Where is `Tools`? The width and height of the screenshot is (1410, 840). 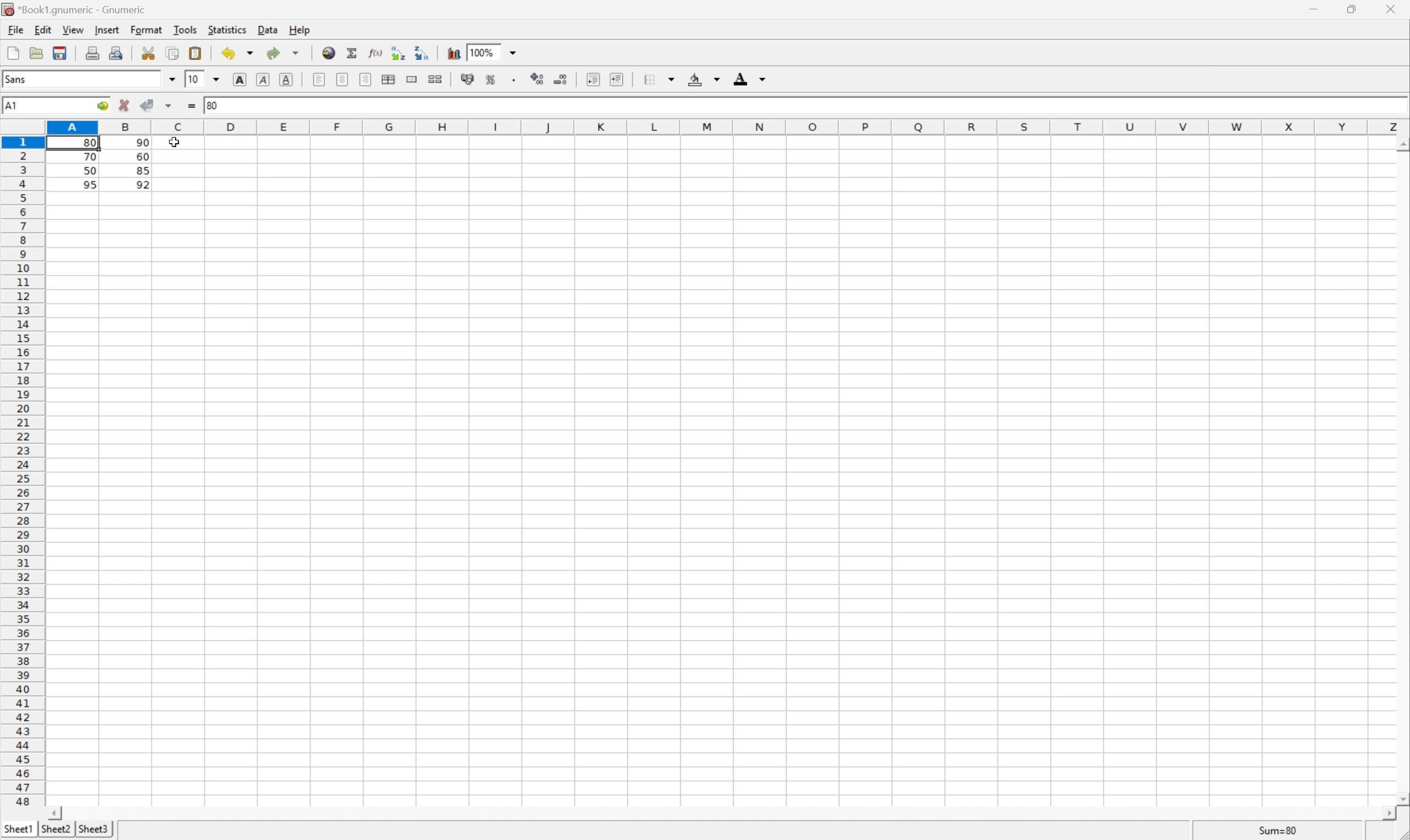 Tools is located at coordinates (184, 29).